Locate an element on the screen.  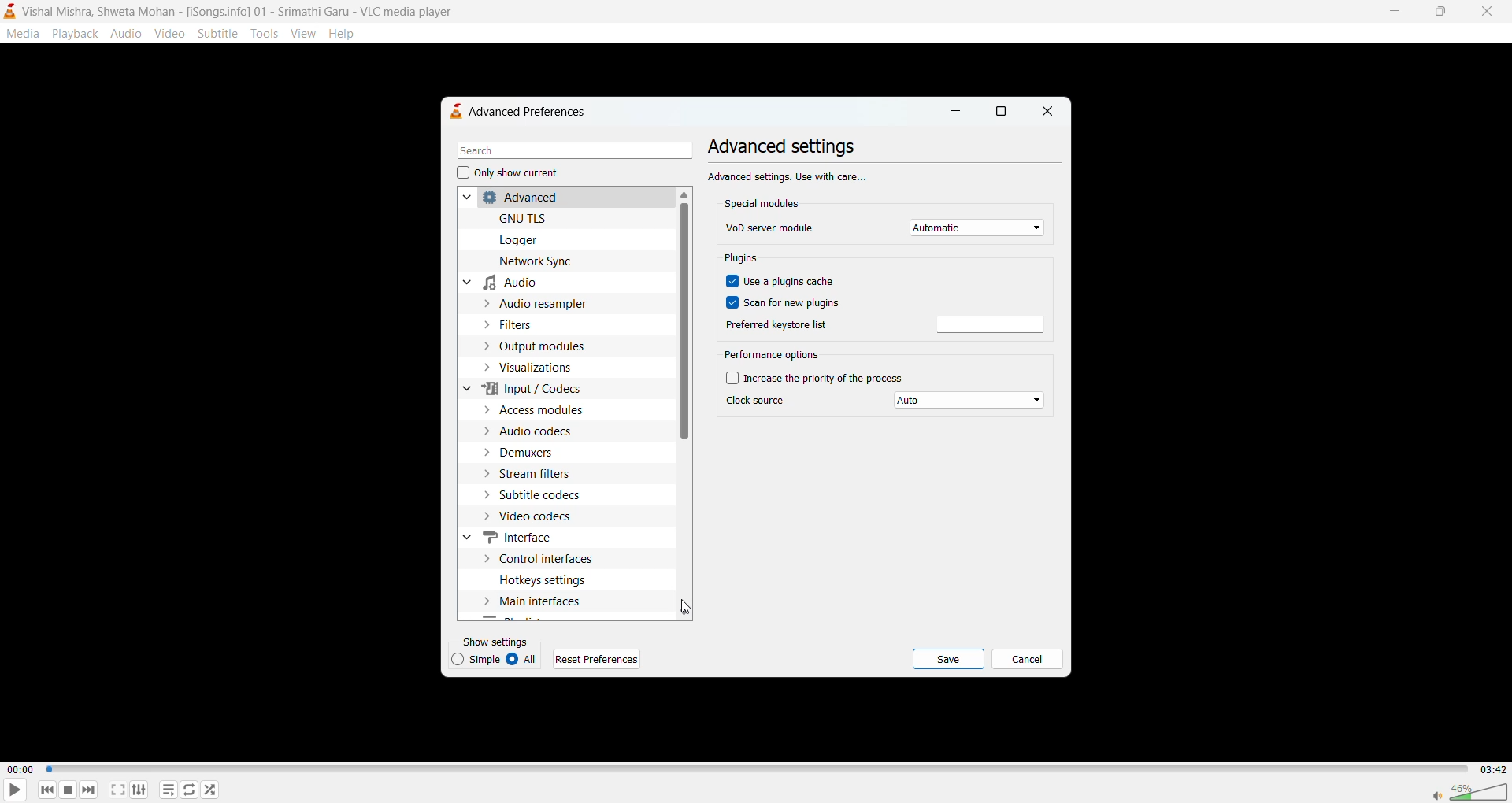
vertical scroll bar is located at coordinates (681, 323).